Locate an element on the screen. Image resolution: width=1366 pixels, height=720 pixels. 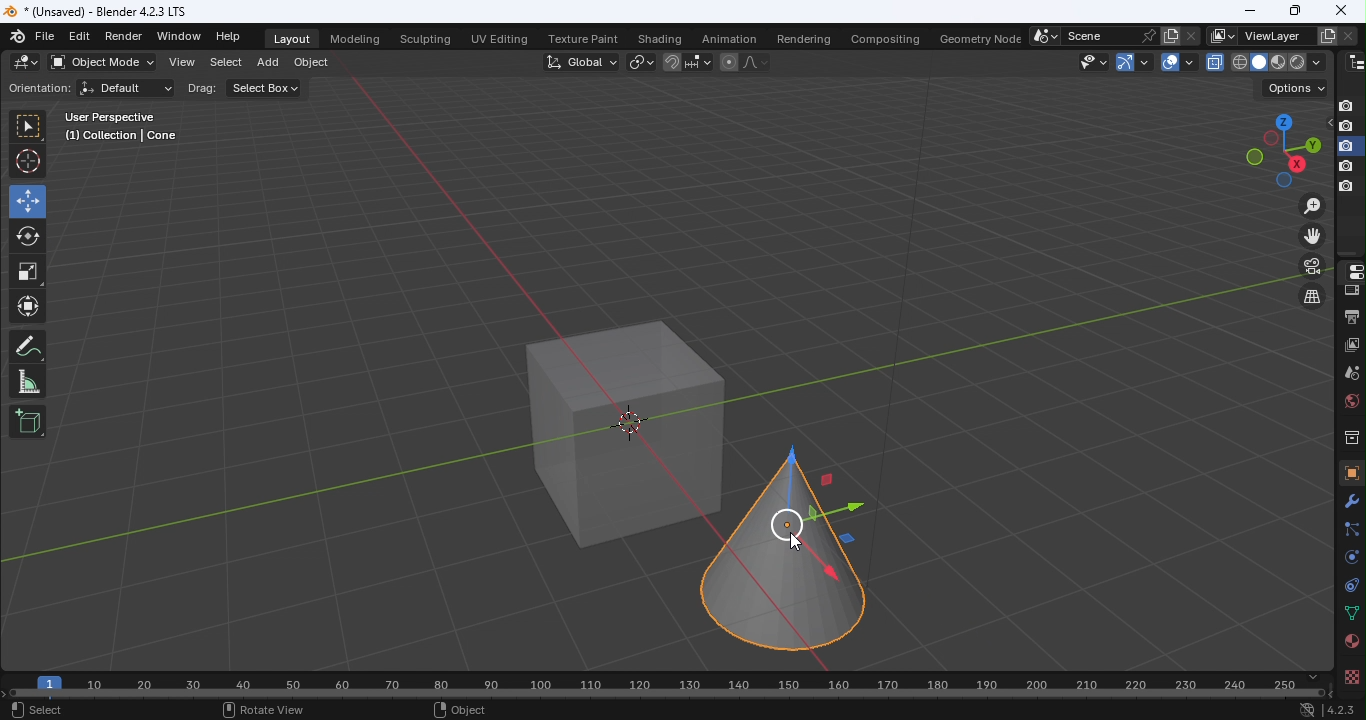
Rotate view is located at coordinates (261, 710).